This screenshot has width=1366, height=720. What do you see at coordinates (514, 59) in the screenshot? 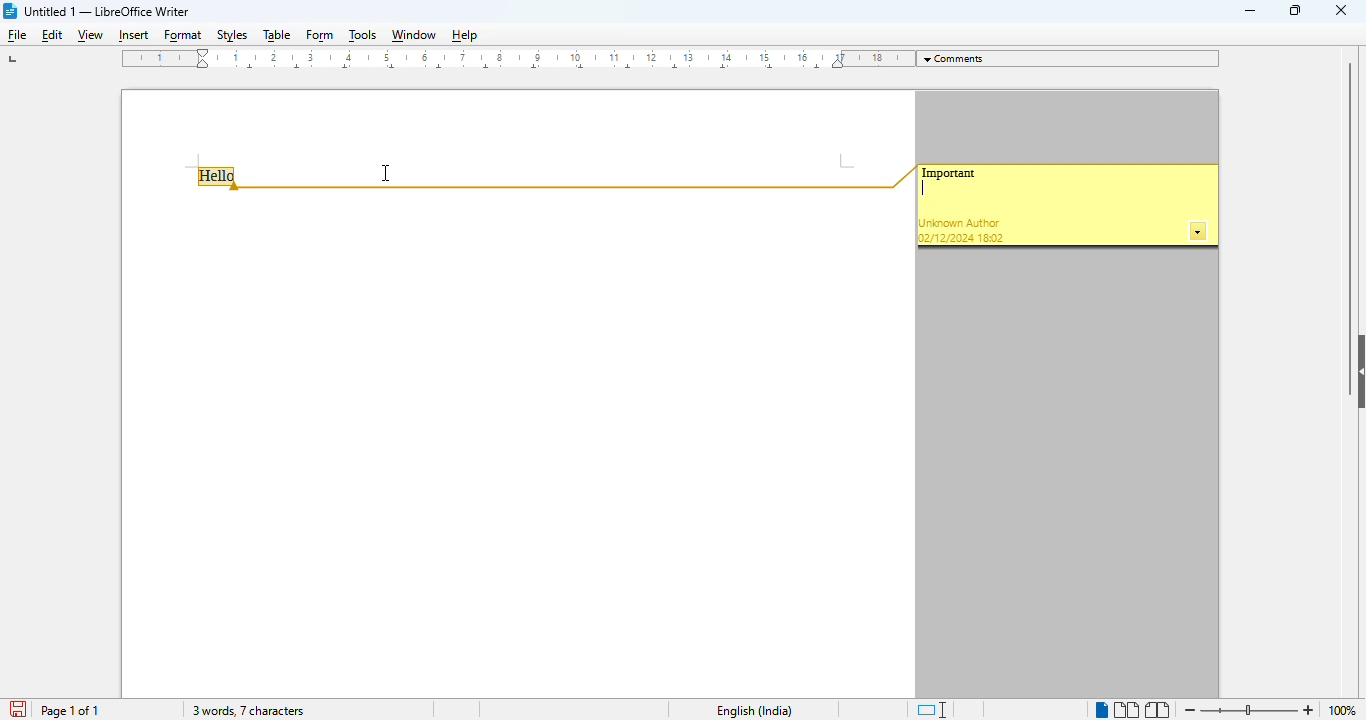
I see `ruler` at bounding box center [514, 59].